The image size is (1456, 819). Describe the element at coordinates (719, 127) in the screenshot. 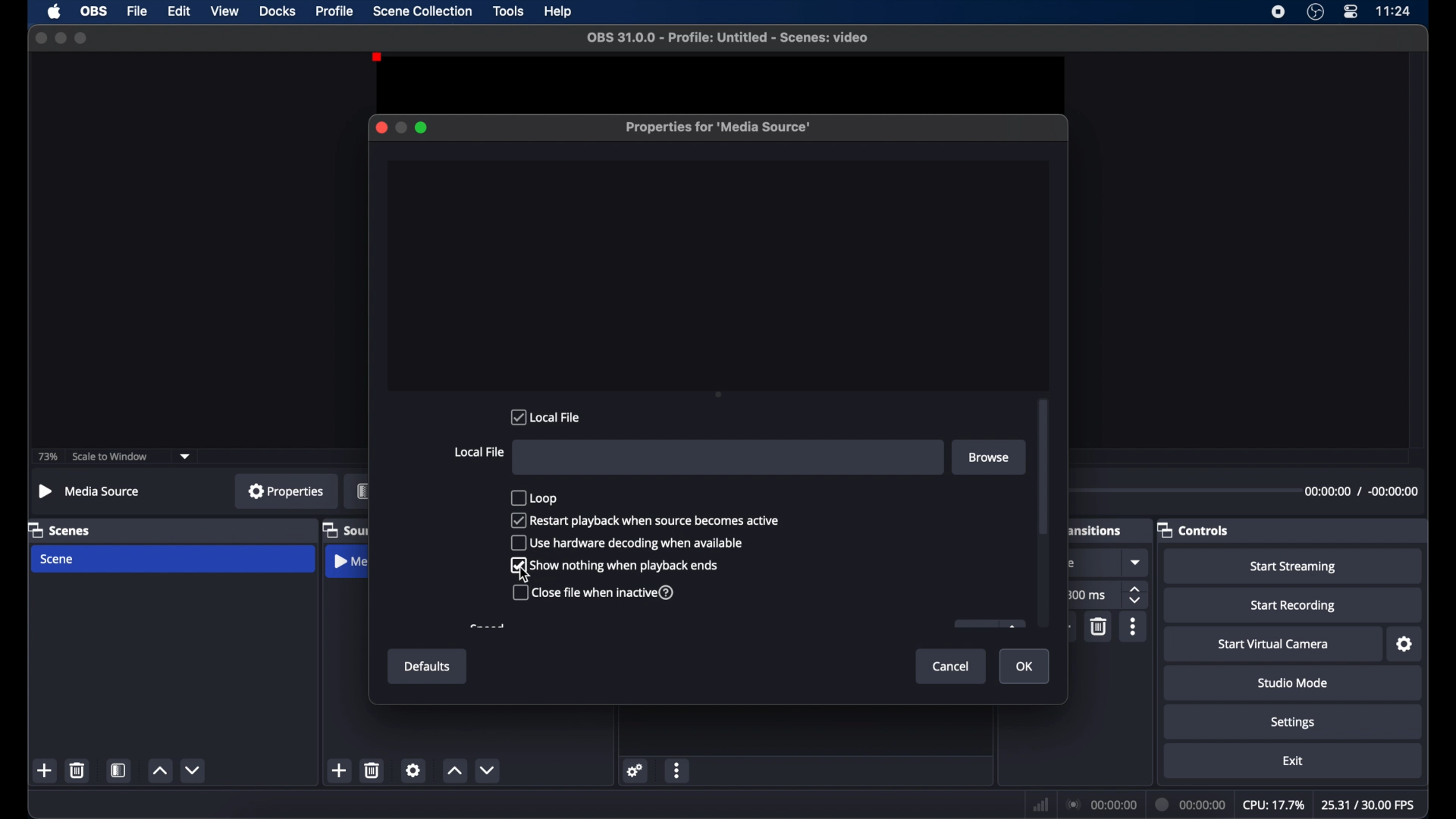

I see `properties for media source` at that location.